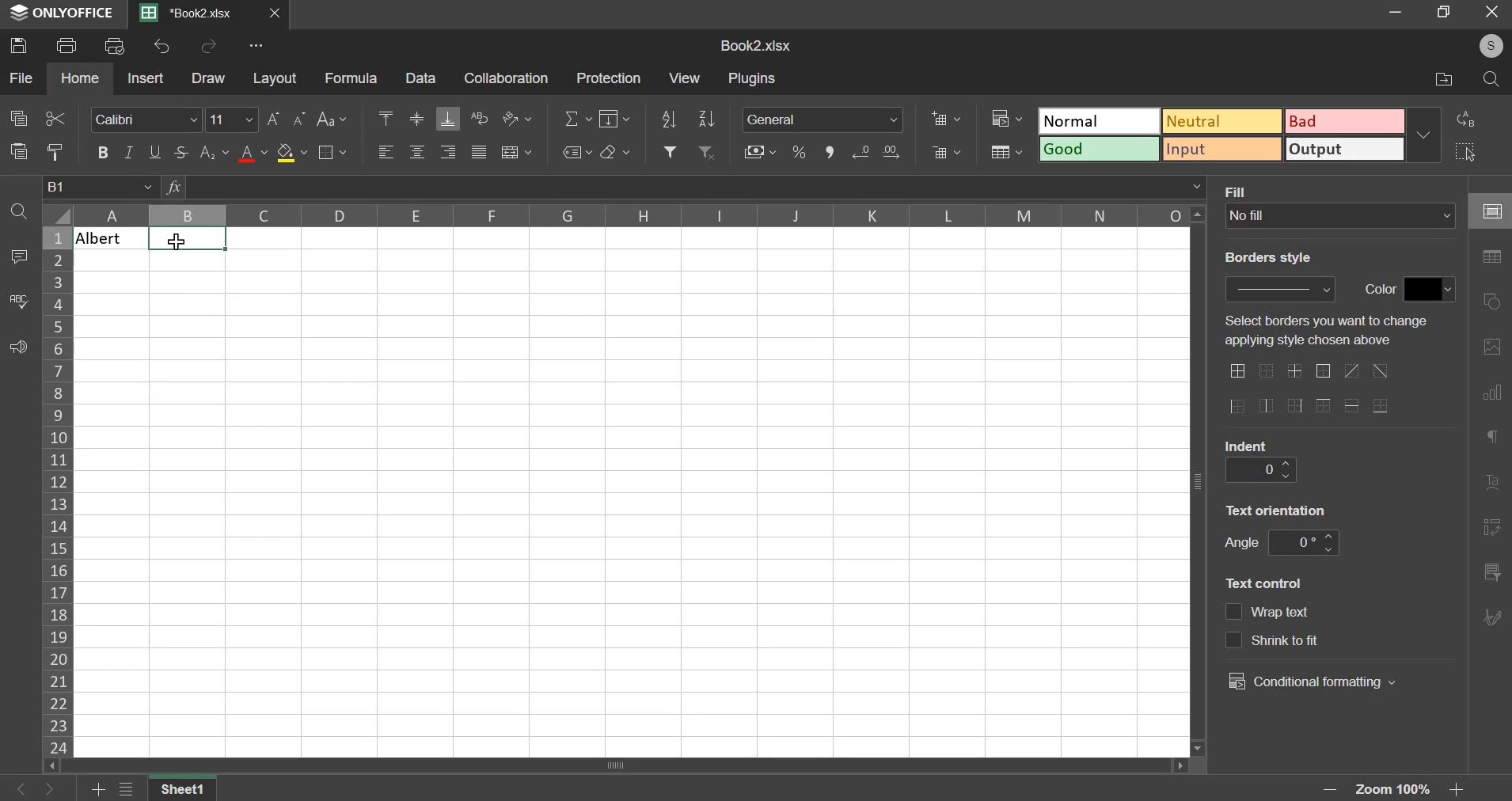 This screenshot has width=1512, height=801. Describe the element at coordinates (1464, 152) in the screenshot. I see `select` at that location.